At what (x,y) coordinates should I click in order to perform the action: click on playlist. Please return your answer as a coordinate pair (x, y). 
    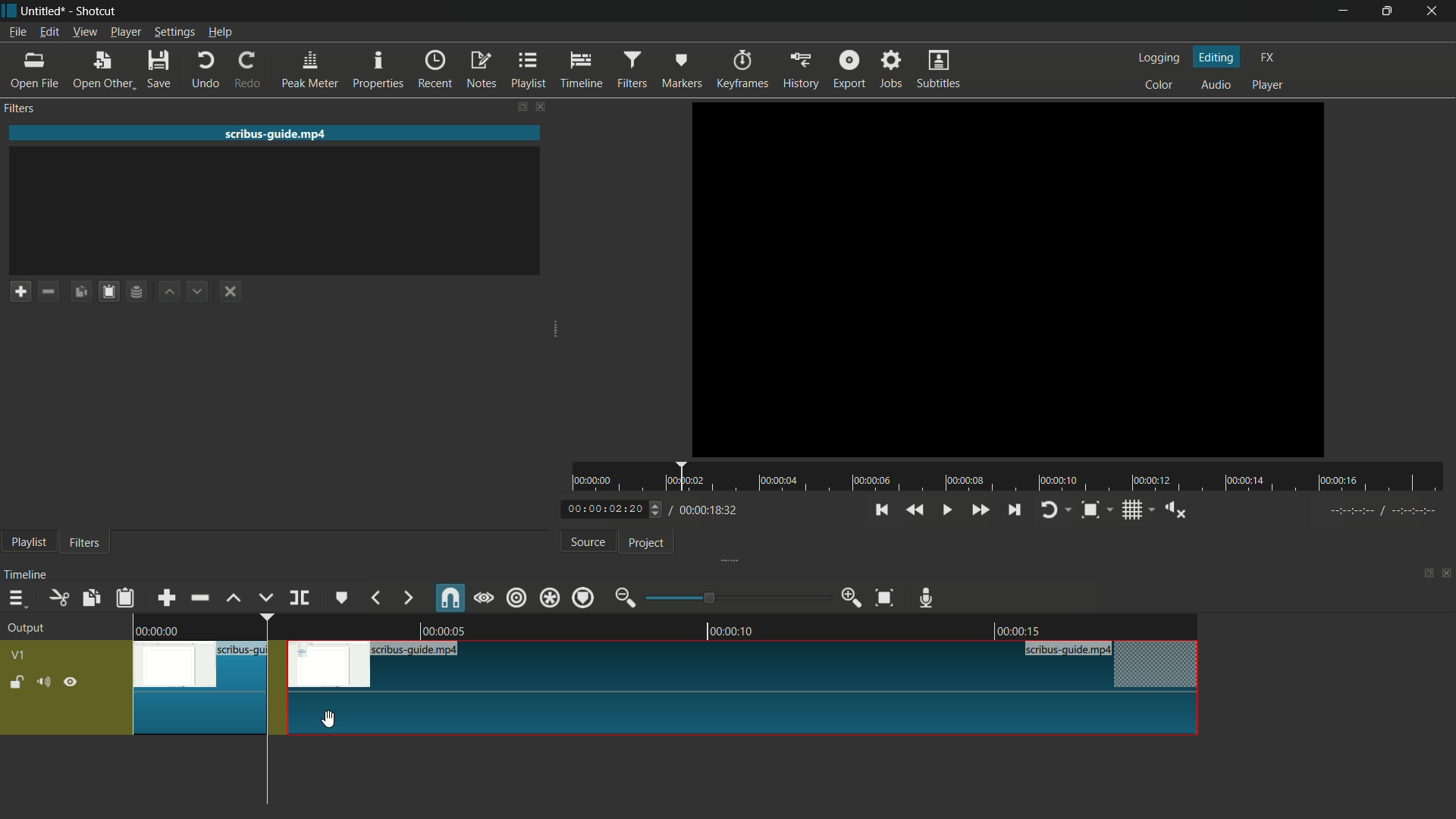
    Looking at the image, I should click on (26, 543).